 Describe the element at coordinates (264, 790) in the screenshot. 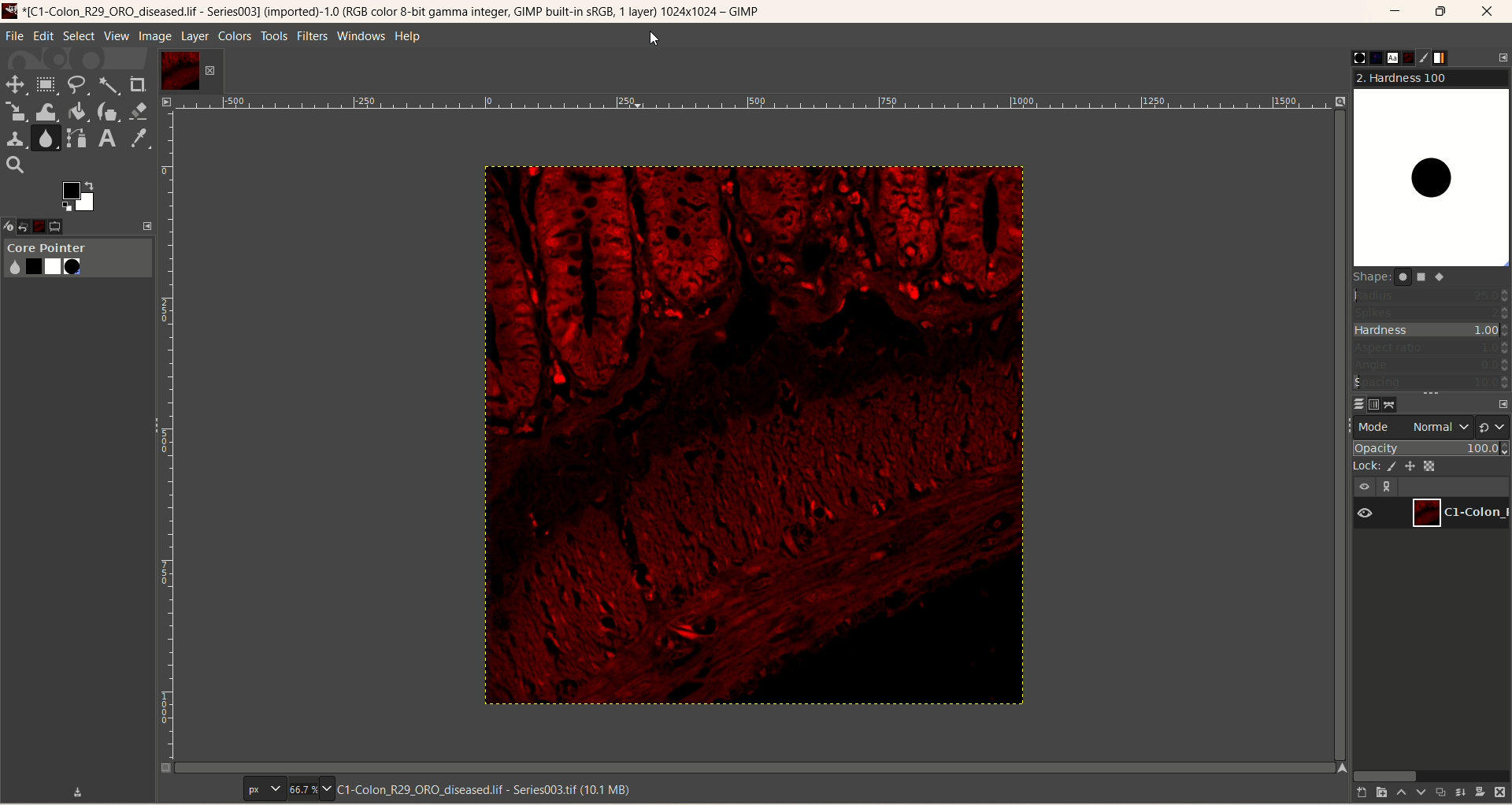

I see `pixel` at that location.